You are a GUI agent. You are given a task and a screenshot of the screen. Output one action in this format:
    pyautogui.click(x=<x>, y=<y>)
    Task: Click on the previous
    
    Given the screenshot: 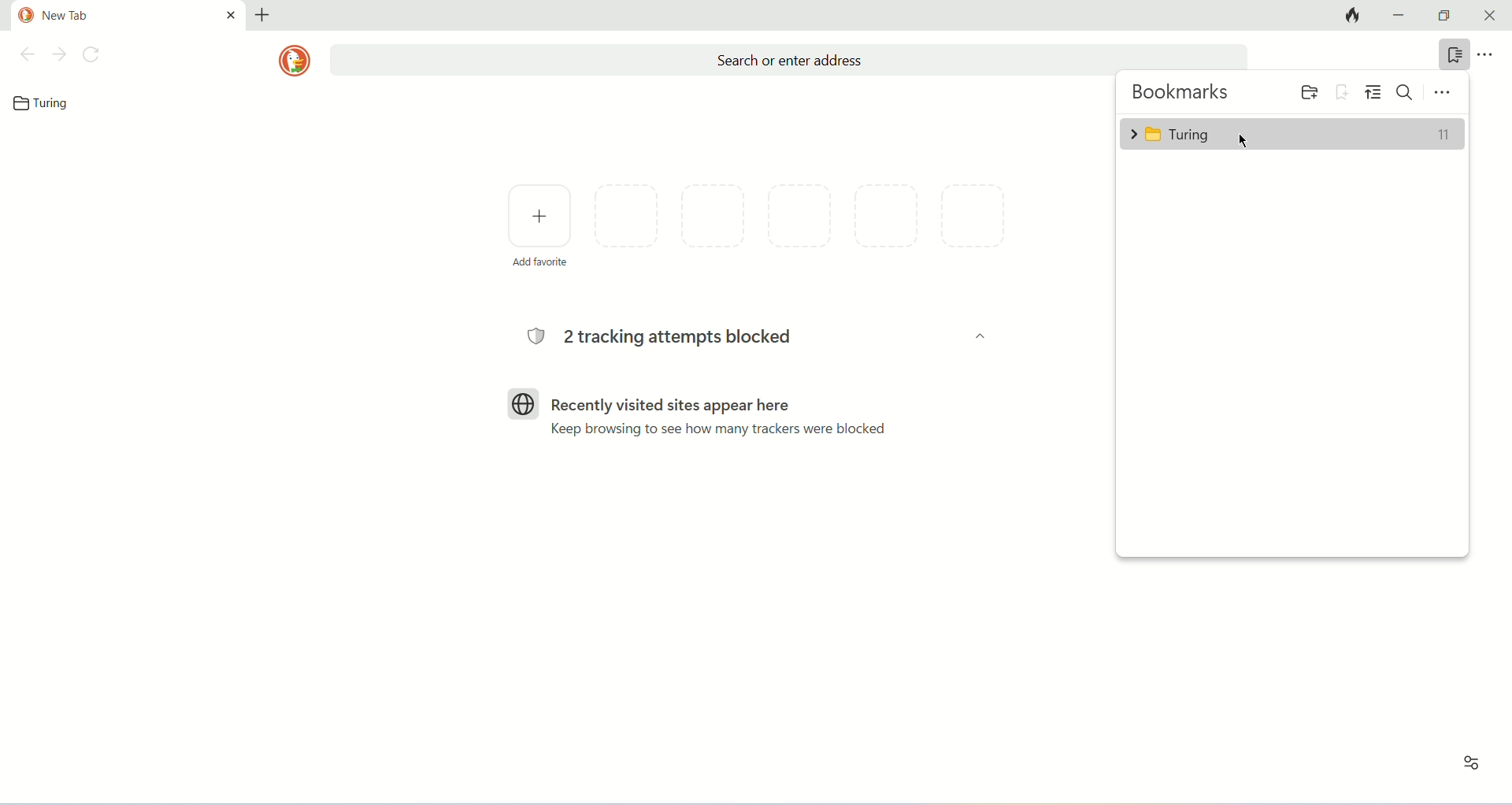 What is the action you would take?
    pyautogui.click(x=26, y=54)
    